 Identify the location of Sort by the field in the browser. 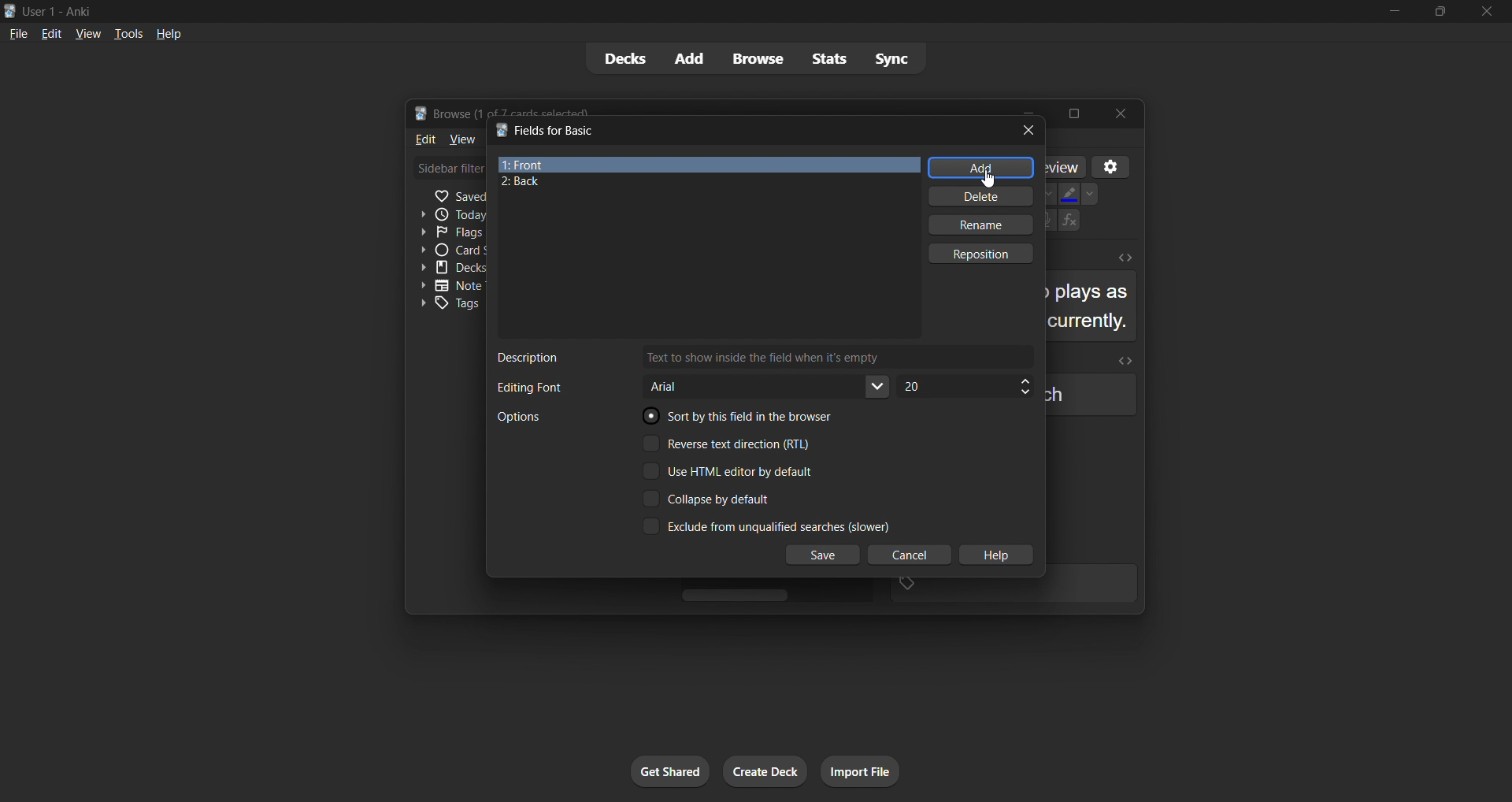
(739, 418).